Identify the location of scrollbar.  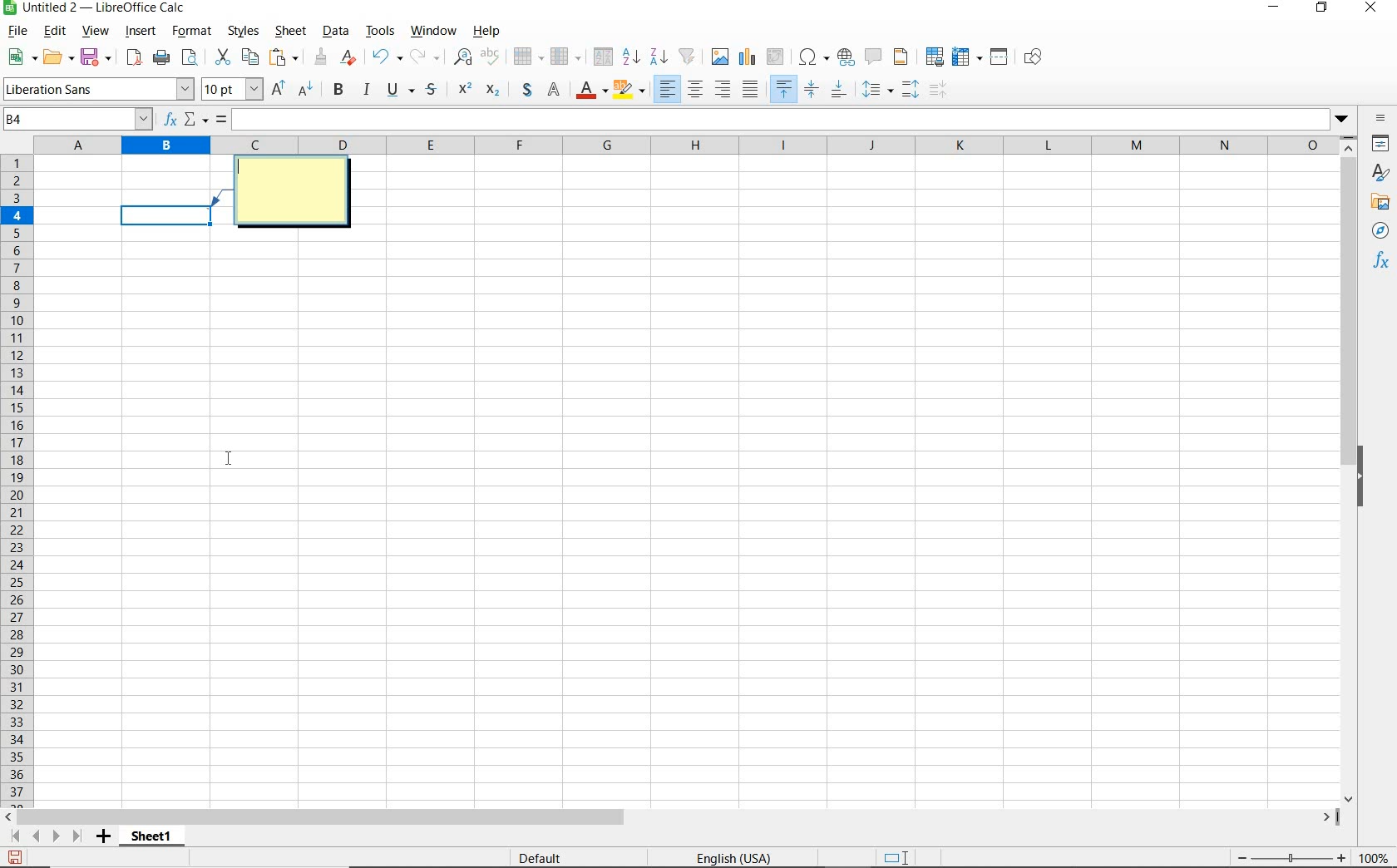
(1350, 471).